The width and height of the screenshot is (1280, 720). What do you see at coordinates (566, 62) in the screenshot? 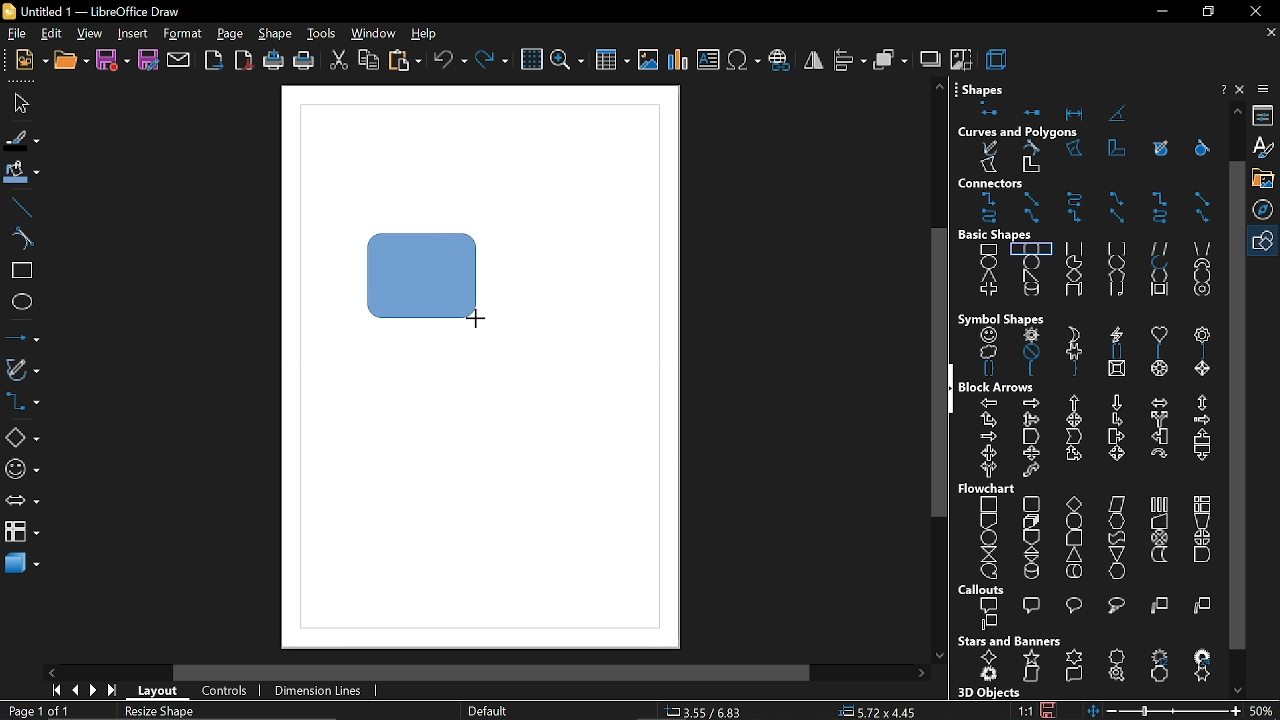
I see `zoom` at bounding box center [566, 62].